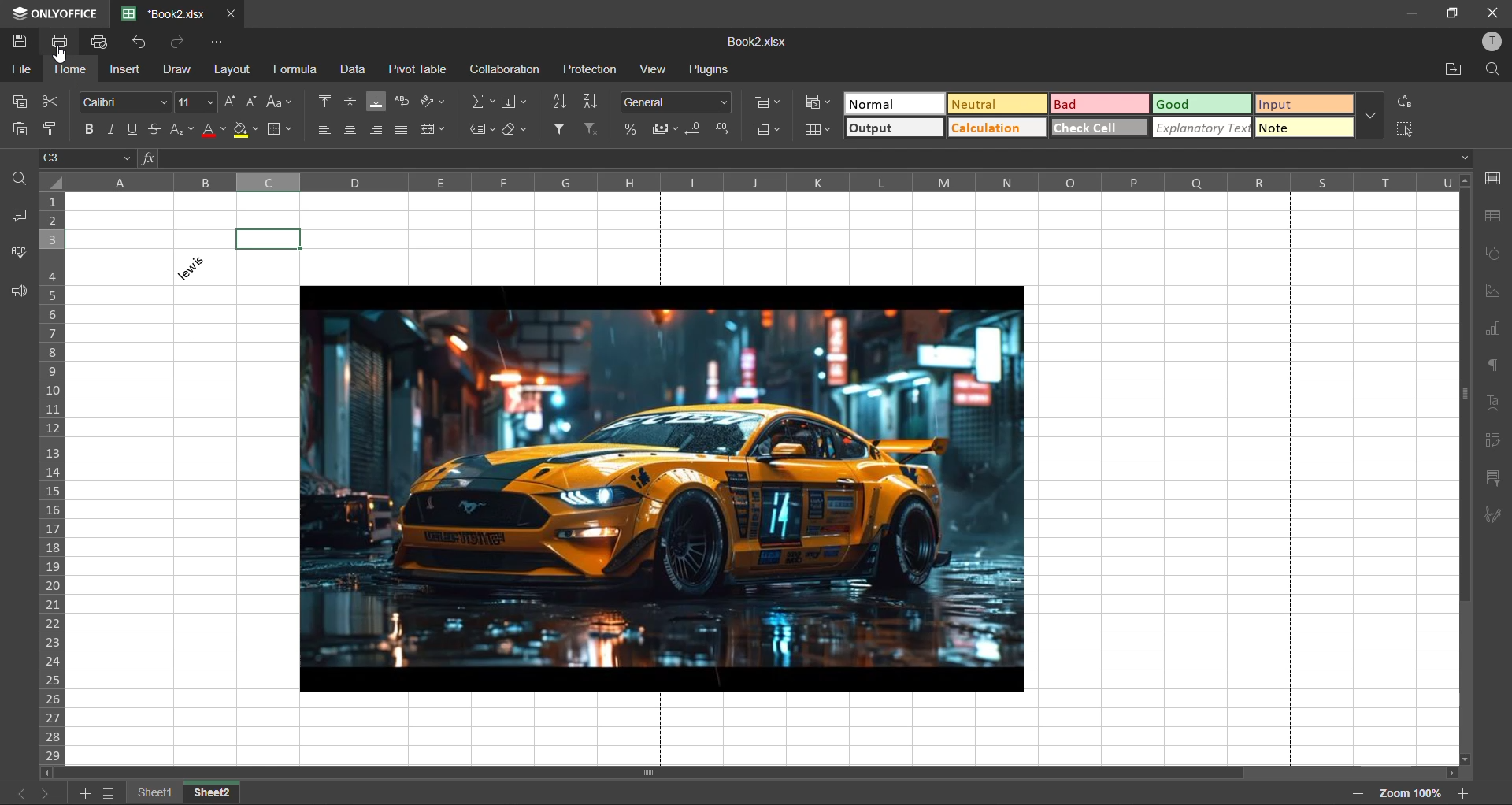 This screenshot has height=805, width=1512. What do you see at coordinates (1494, 254) in the screenshot?
I see `shapes` at bounding box center [1494, 254].